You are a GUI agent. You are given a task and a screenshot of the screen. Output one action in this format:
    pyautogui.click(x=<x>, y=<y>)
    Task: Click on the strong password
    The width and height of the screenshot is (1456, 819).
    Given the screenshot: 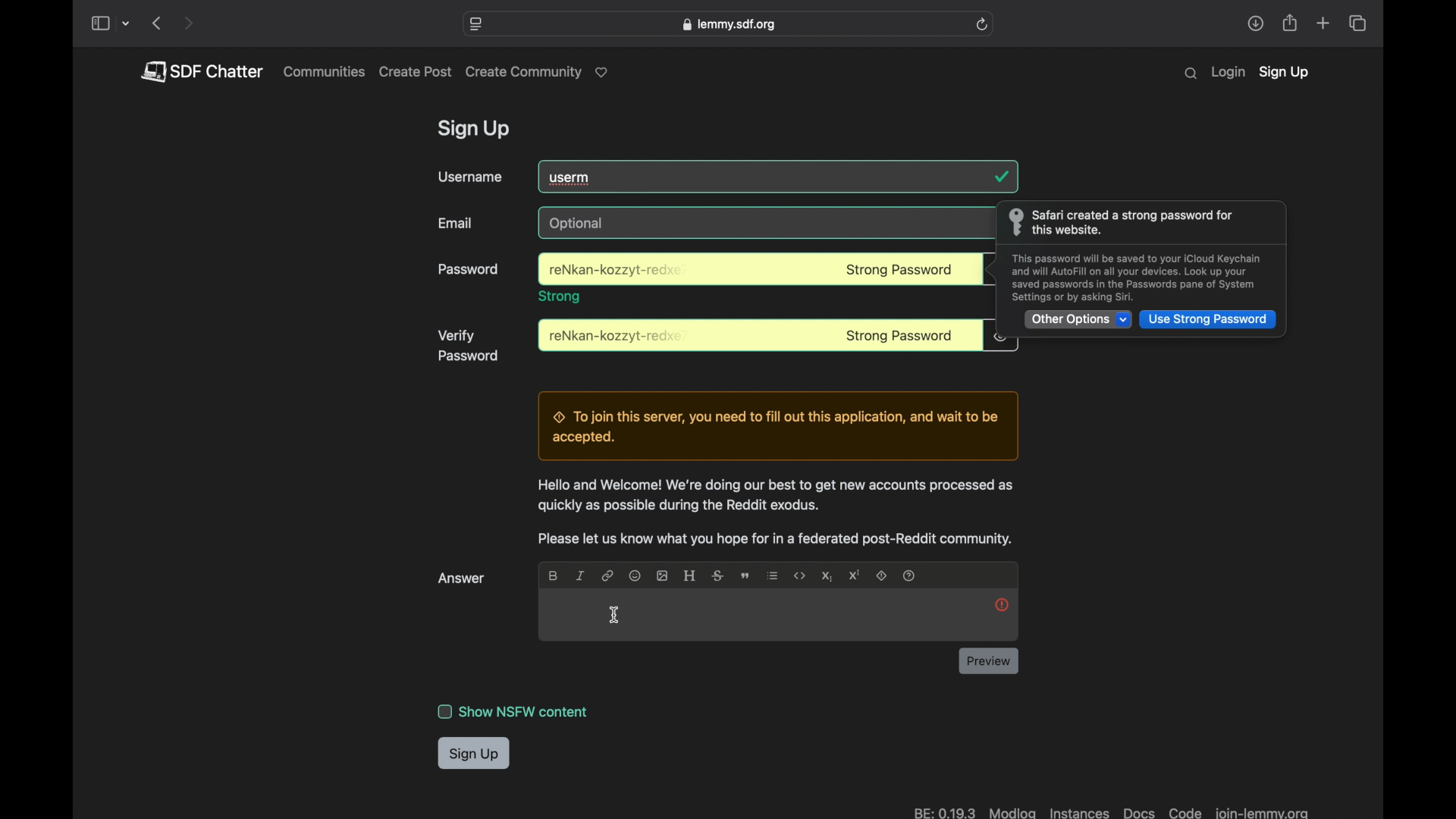 What is the action you would take?
    pyautogui.click(x=899, y=270)
    